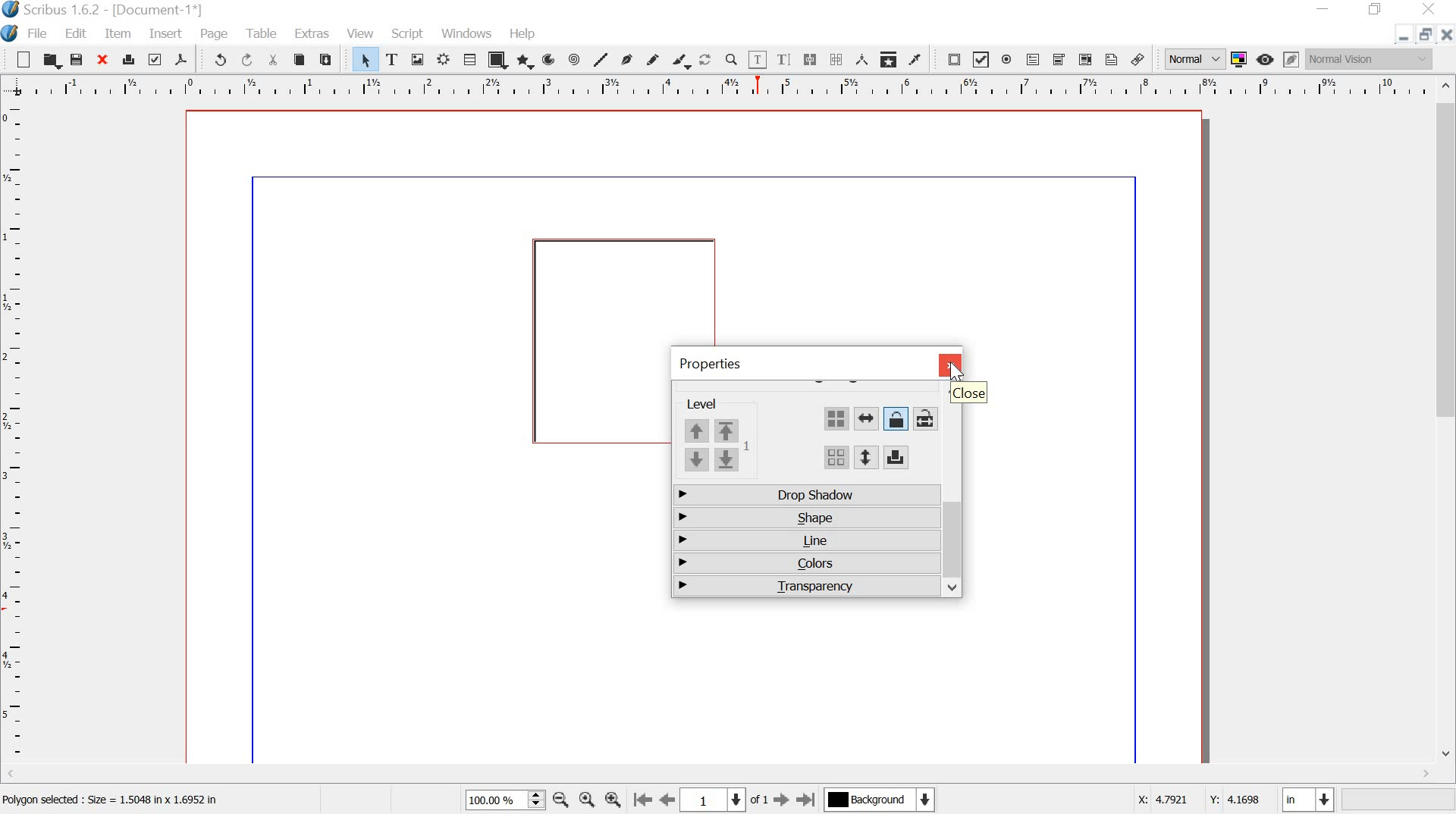 This screenshot has height=814, width=1456. What do you see at coordinates (720, 775) in the screenshot?
I see `scrollbar` at bounding box center [720, 775].